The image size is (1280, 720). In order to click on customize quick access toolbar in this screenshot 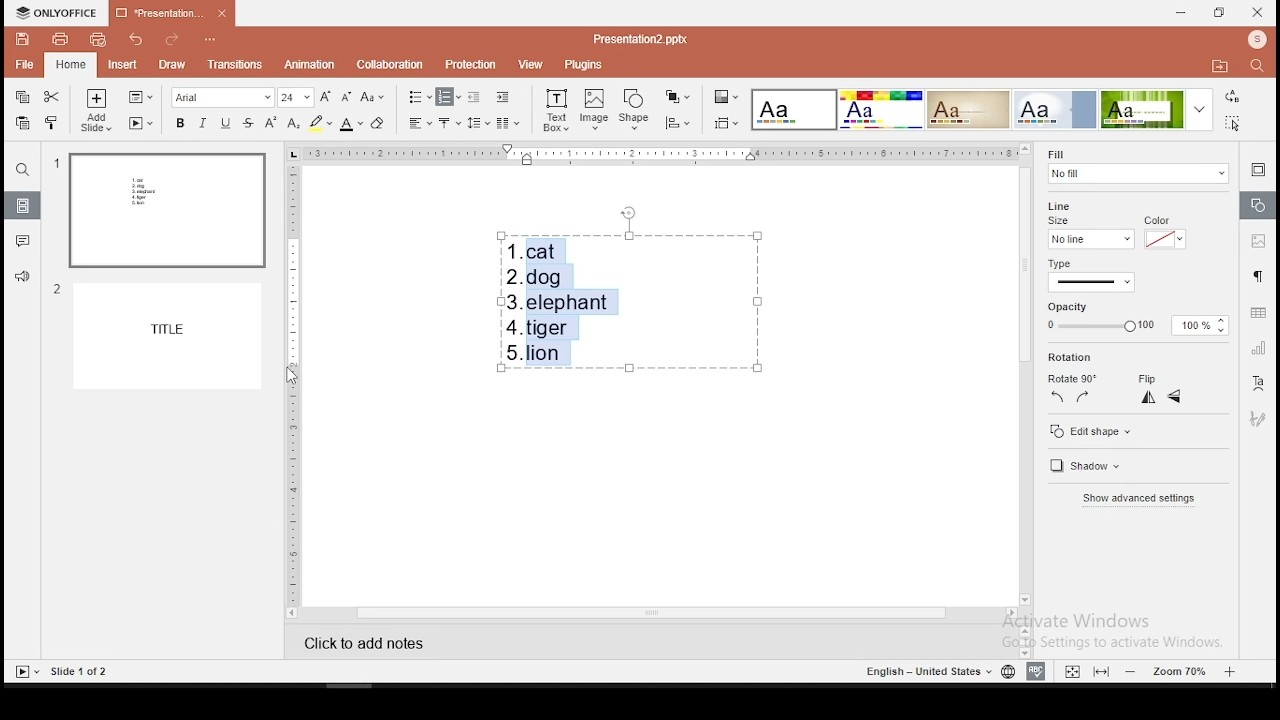, I will do `click(216, 39)`.